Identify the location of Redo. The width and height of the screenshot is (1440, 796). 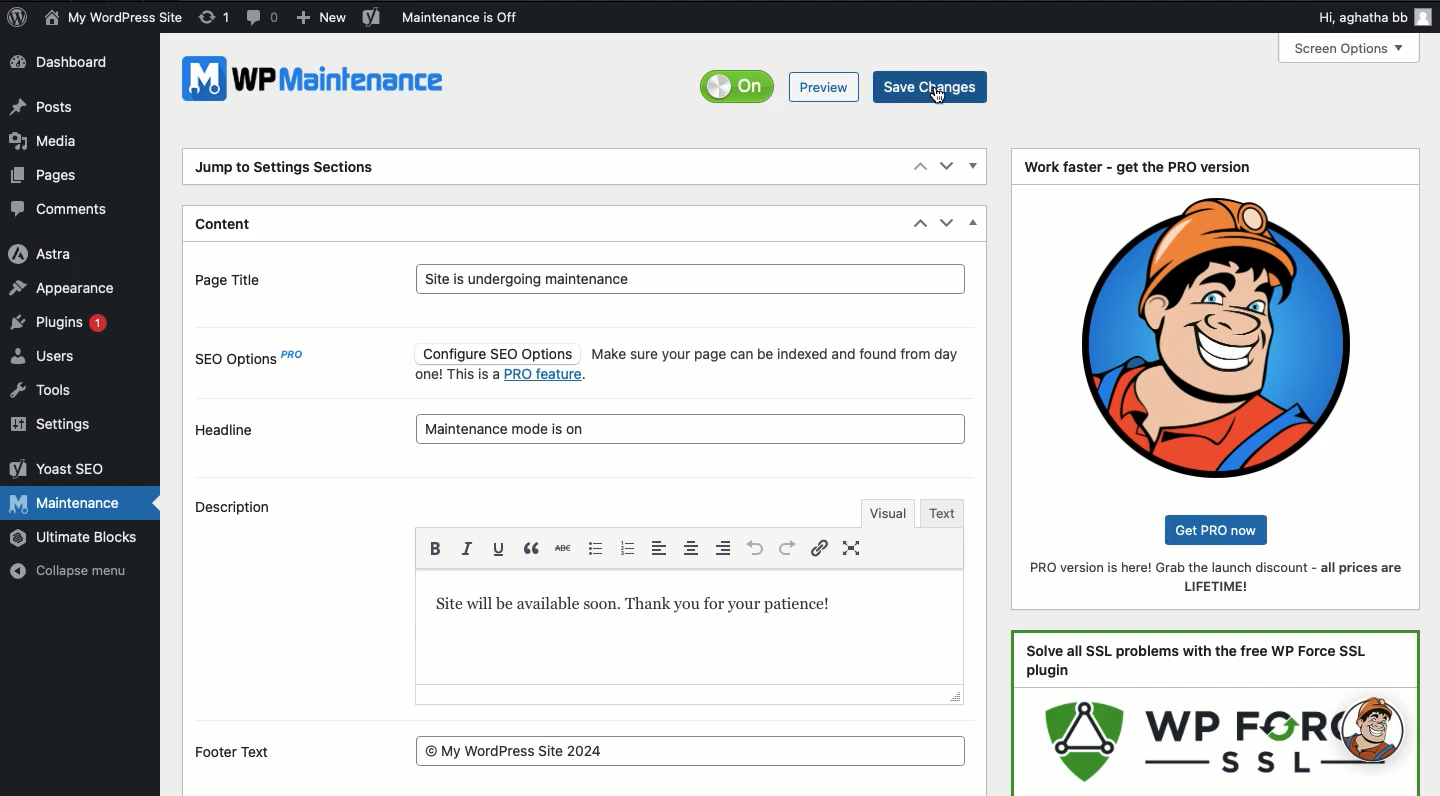
(787, 547).